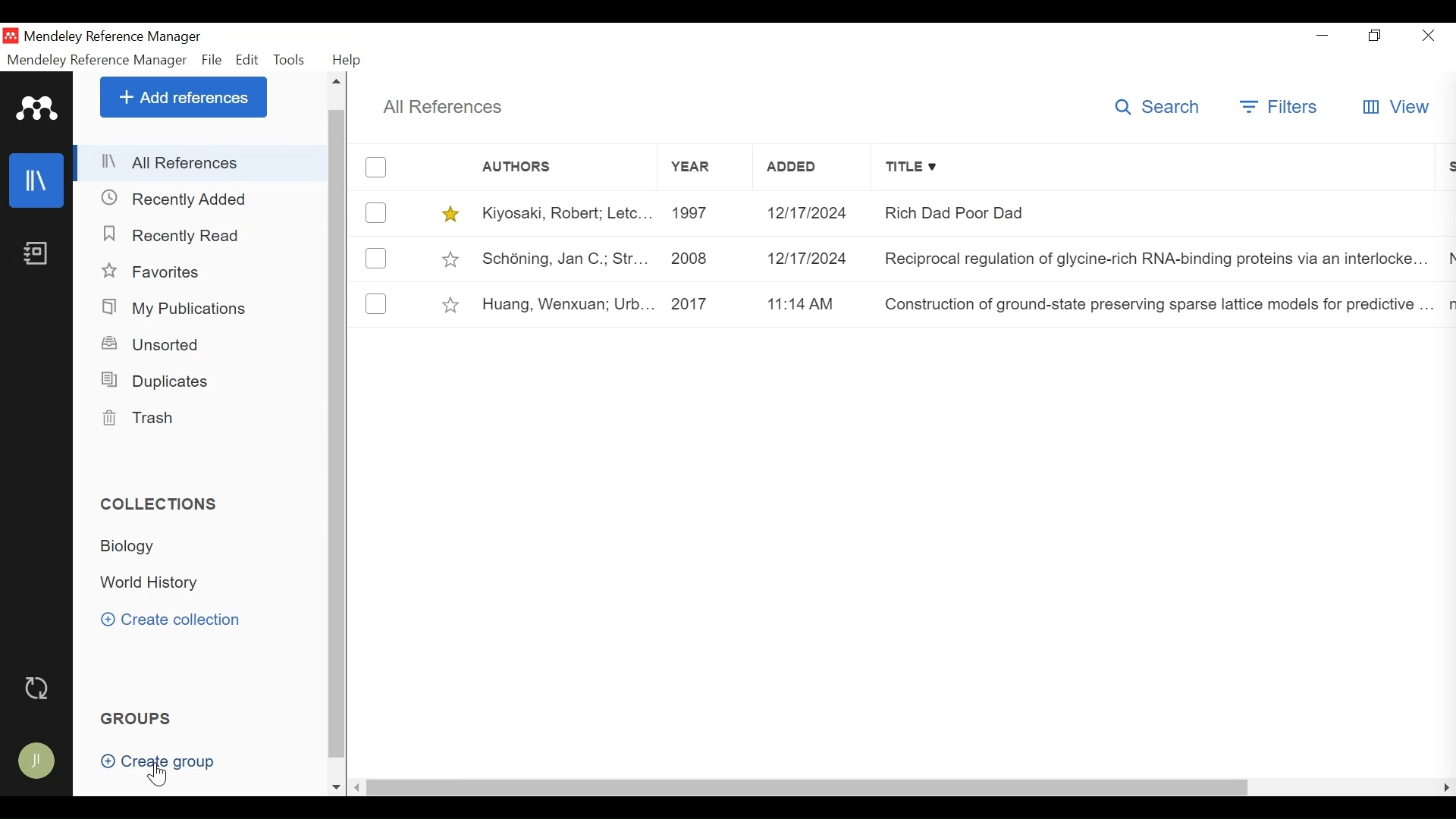 Image resolution: width=1456 pixels, height=819 pixels. What do you see at coordinates (566, 259) in the screenshot?
I see `Schéning, Jan C.; Str...` at bounding box center [566, 259].